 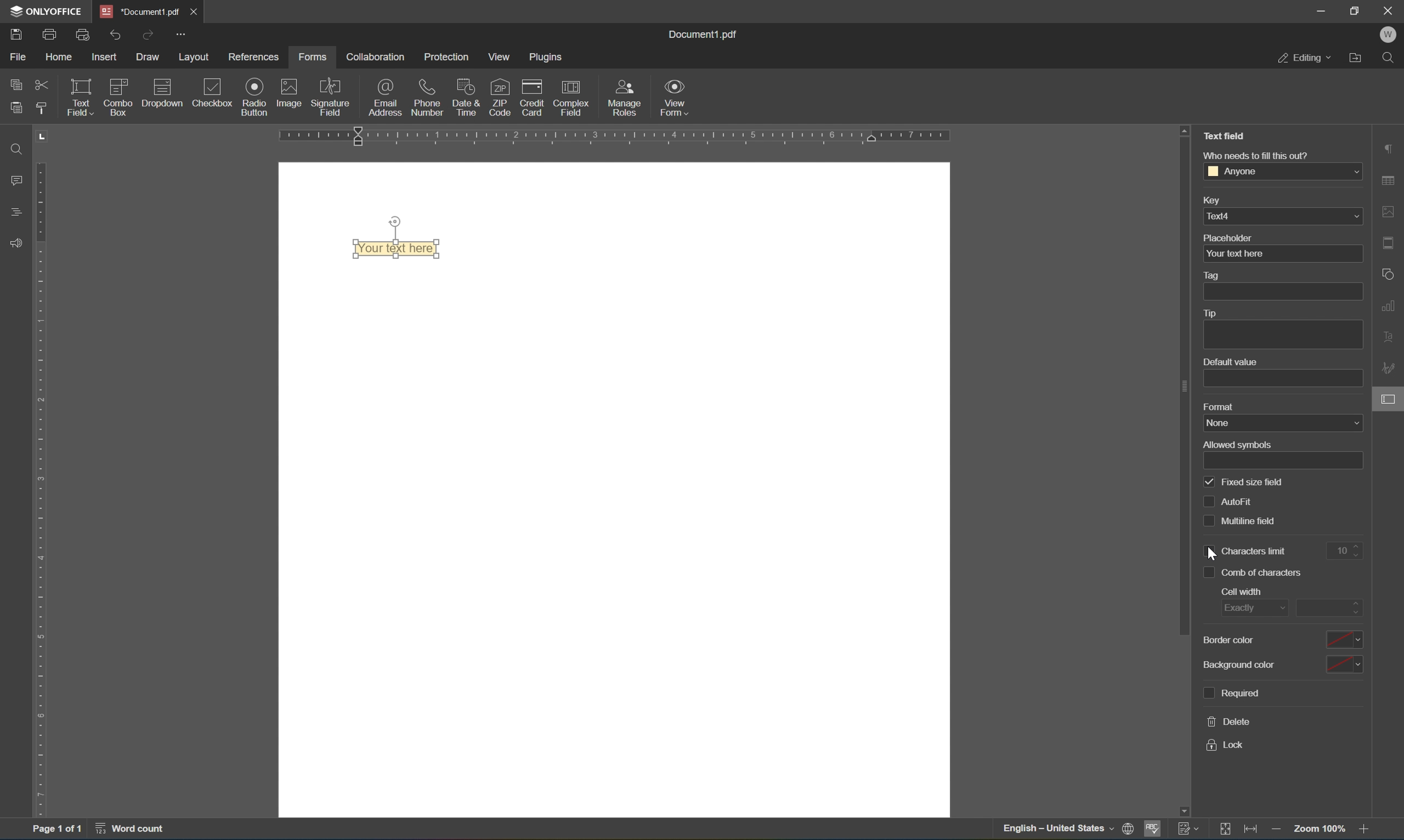 What do you see at coordinates (1367, 830) in the screenshot?
I see `zoom out` at bounding box center [1367, 830].